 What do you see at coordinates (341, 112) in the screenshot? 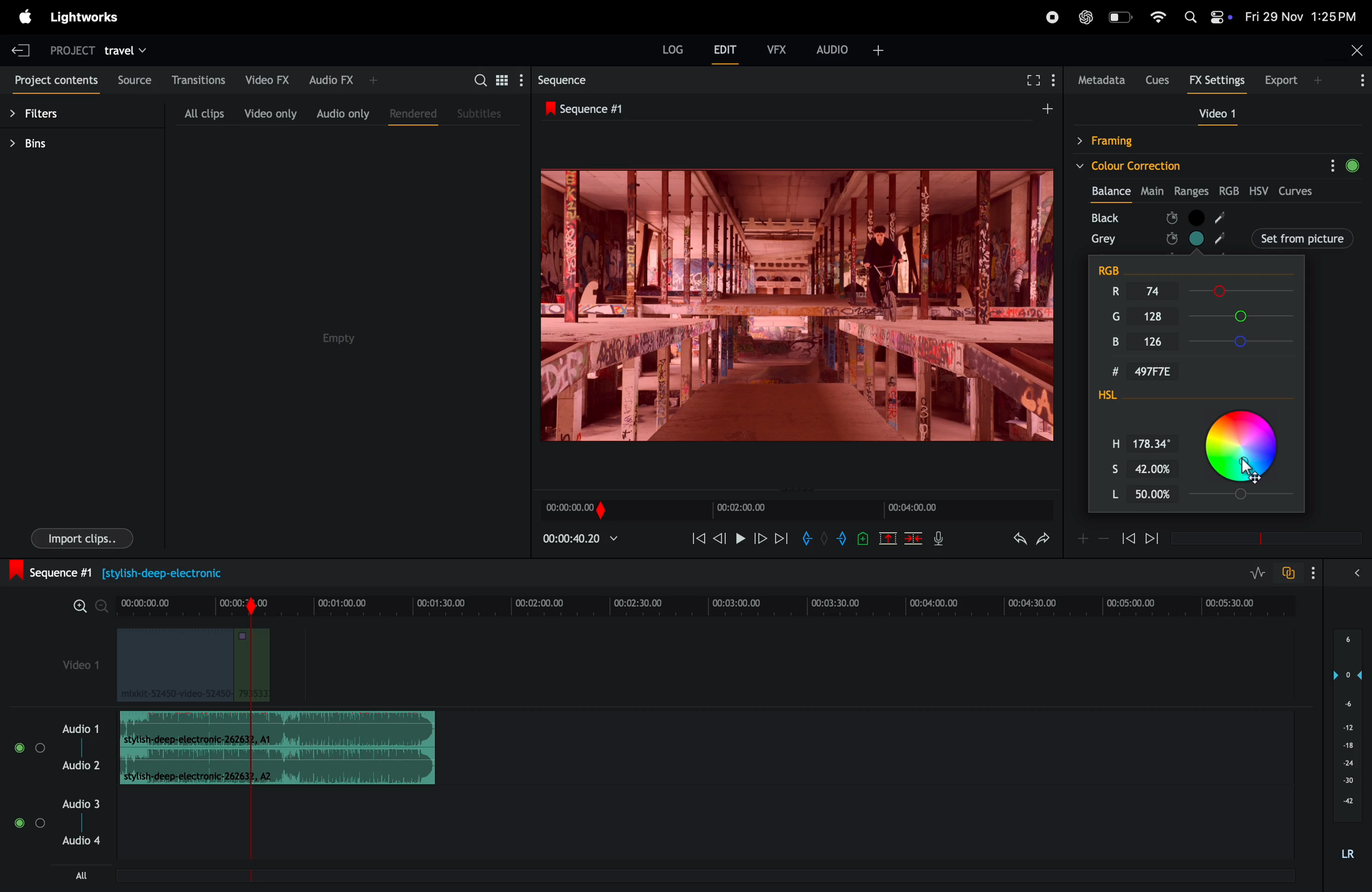
I see `audio only` at bounding box center [341, 112].